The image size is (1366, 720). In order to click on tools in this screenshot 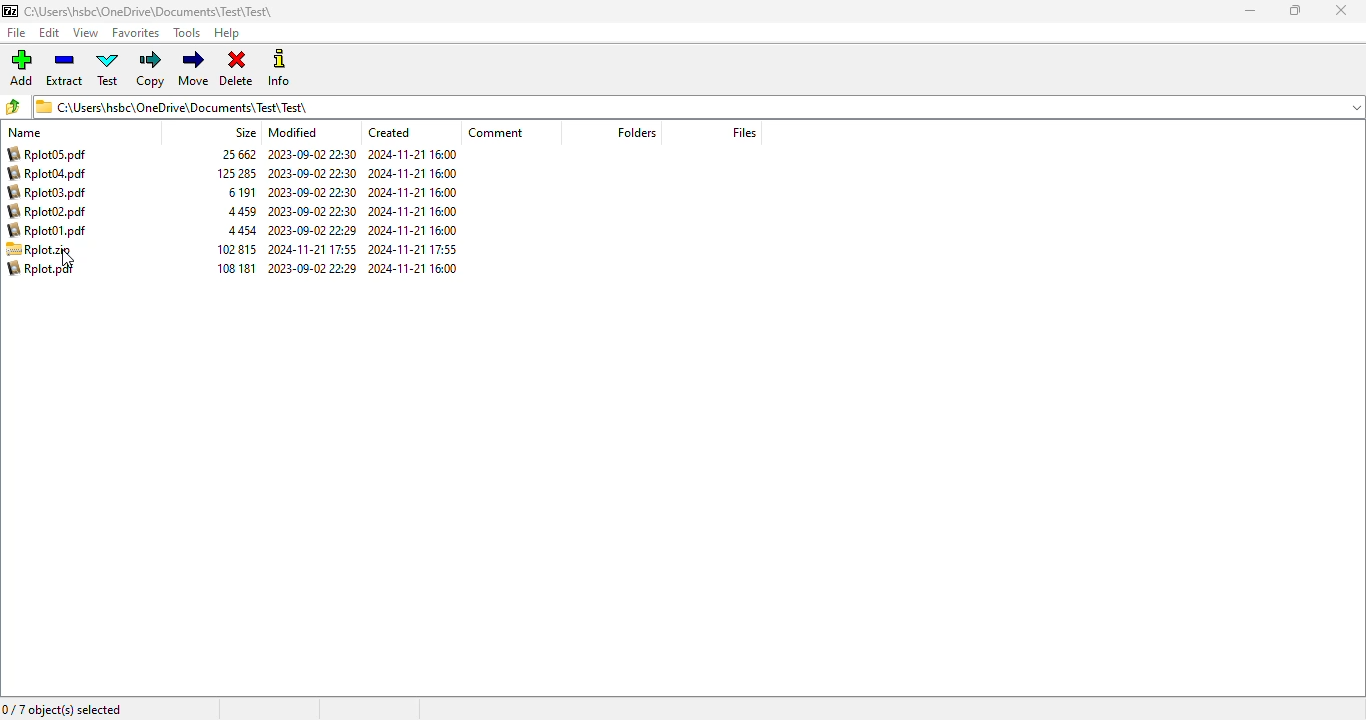, I will do `click(186, 33)`.